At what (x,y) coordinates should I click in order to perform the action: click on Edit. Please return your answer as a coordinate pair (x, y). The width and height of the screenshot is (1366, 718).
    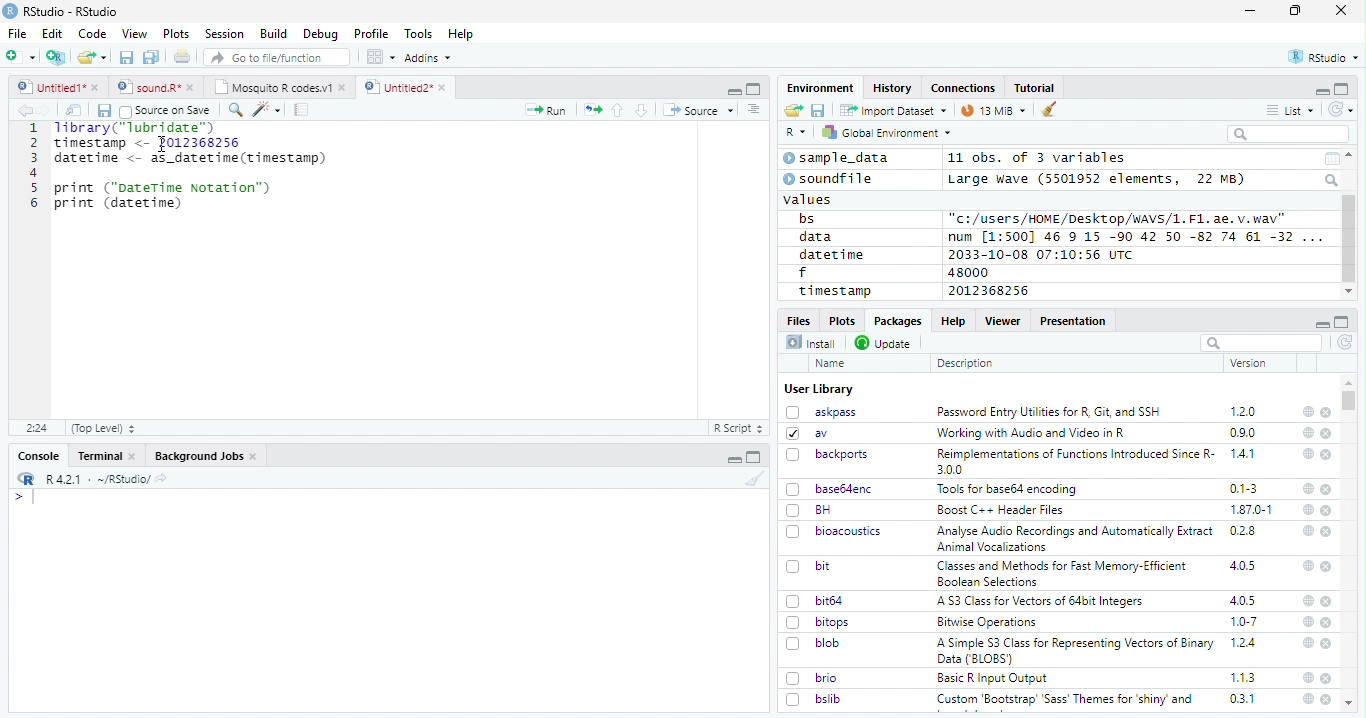
    Looking at the image, I should click on (52, 33).